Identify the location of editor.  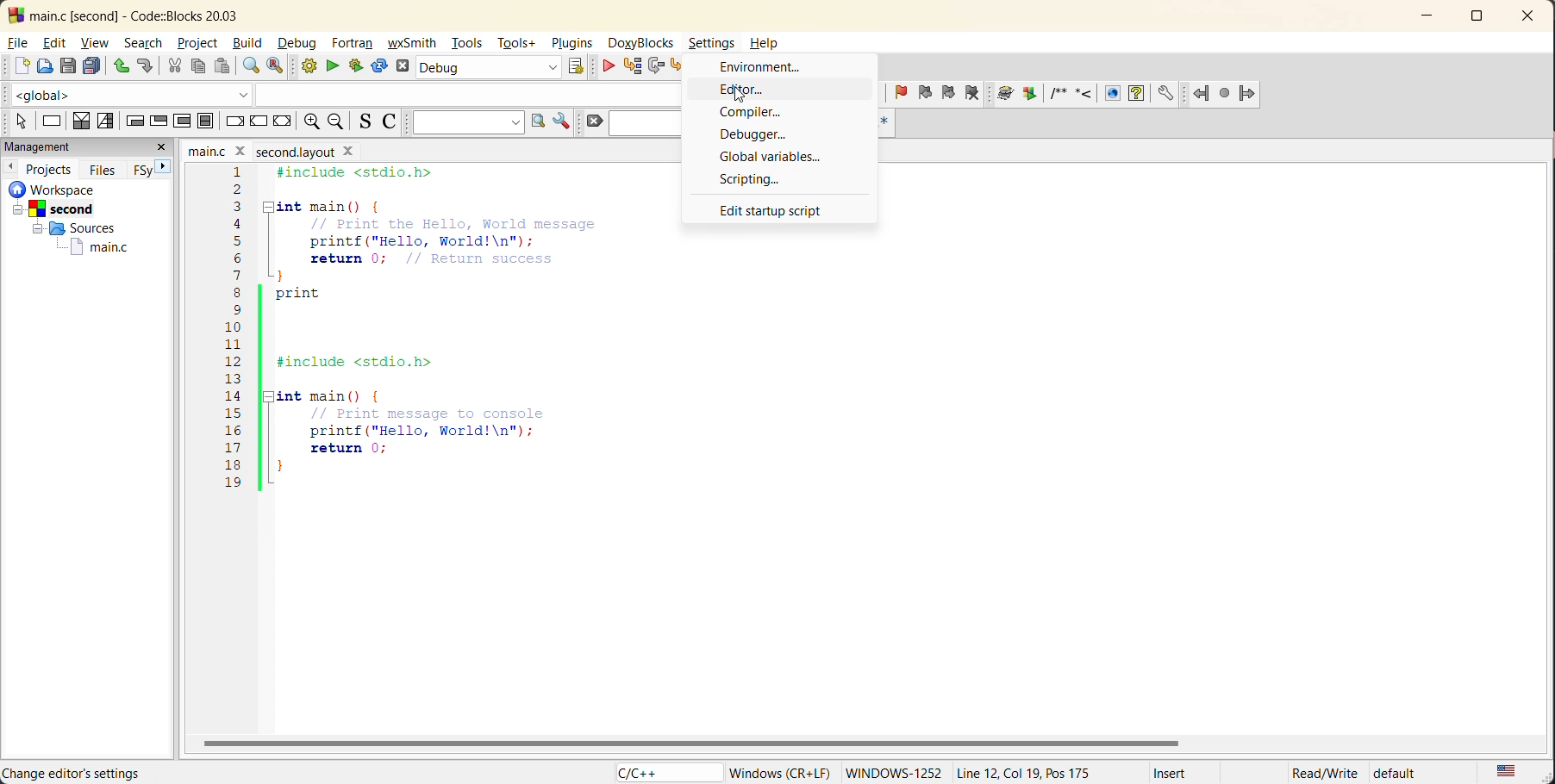
(751, 89).